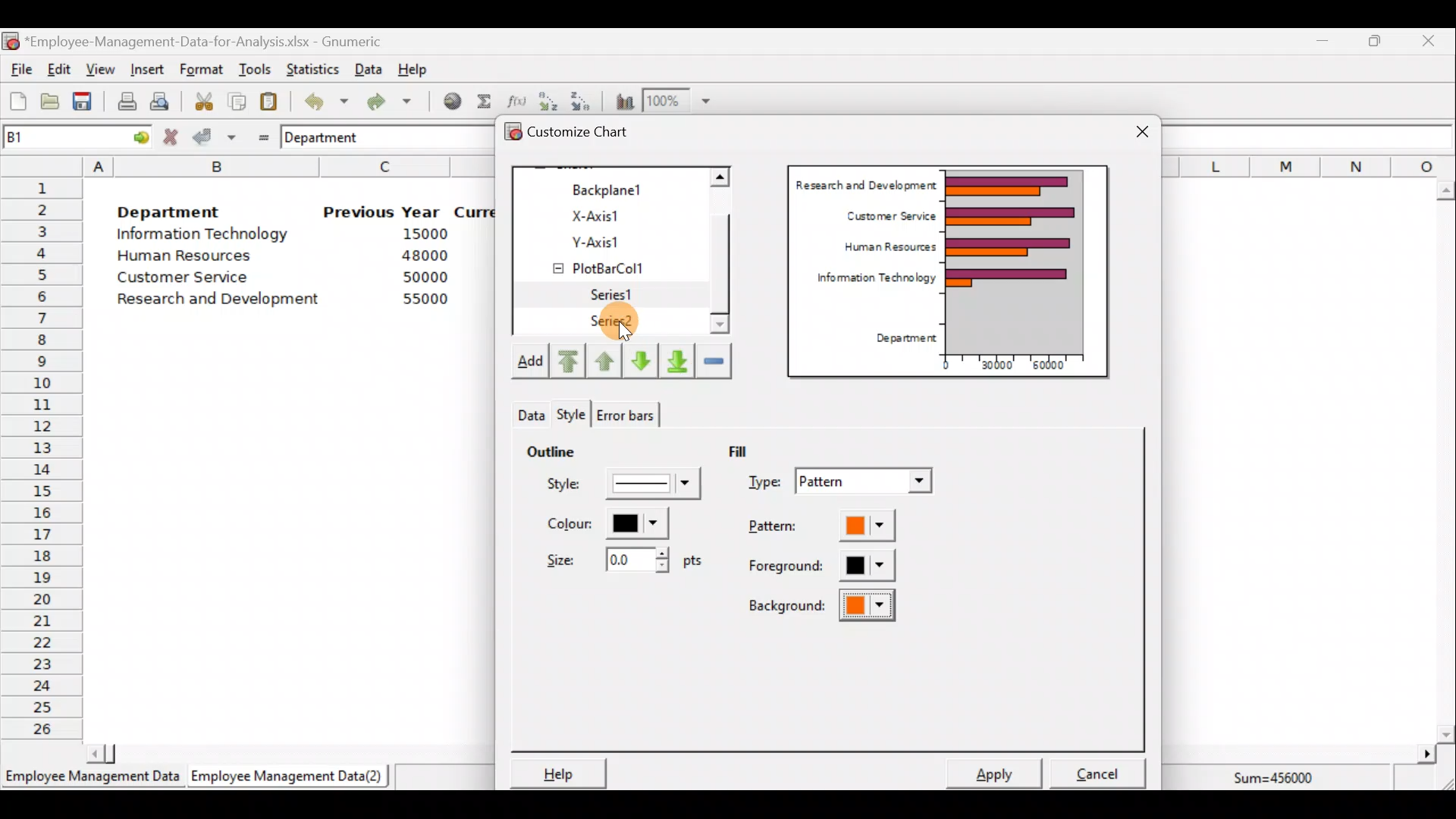  Describe the element at coordinates (268, 101) in the screenshot. I see `Paste the clipboard` at that location.